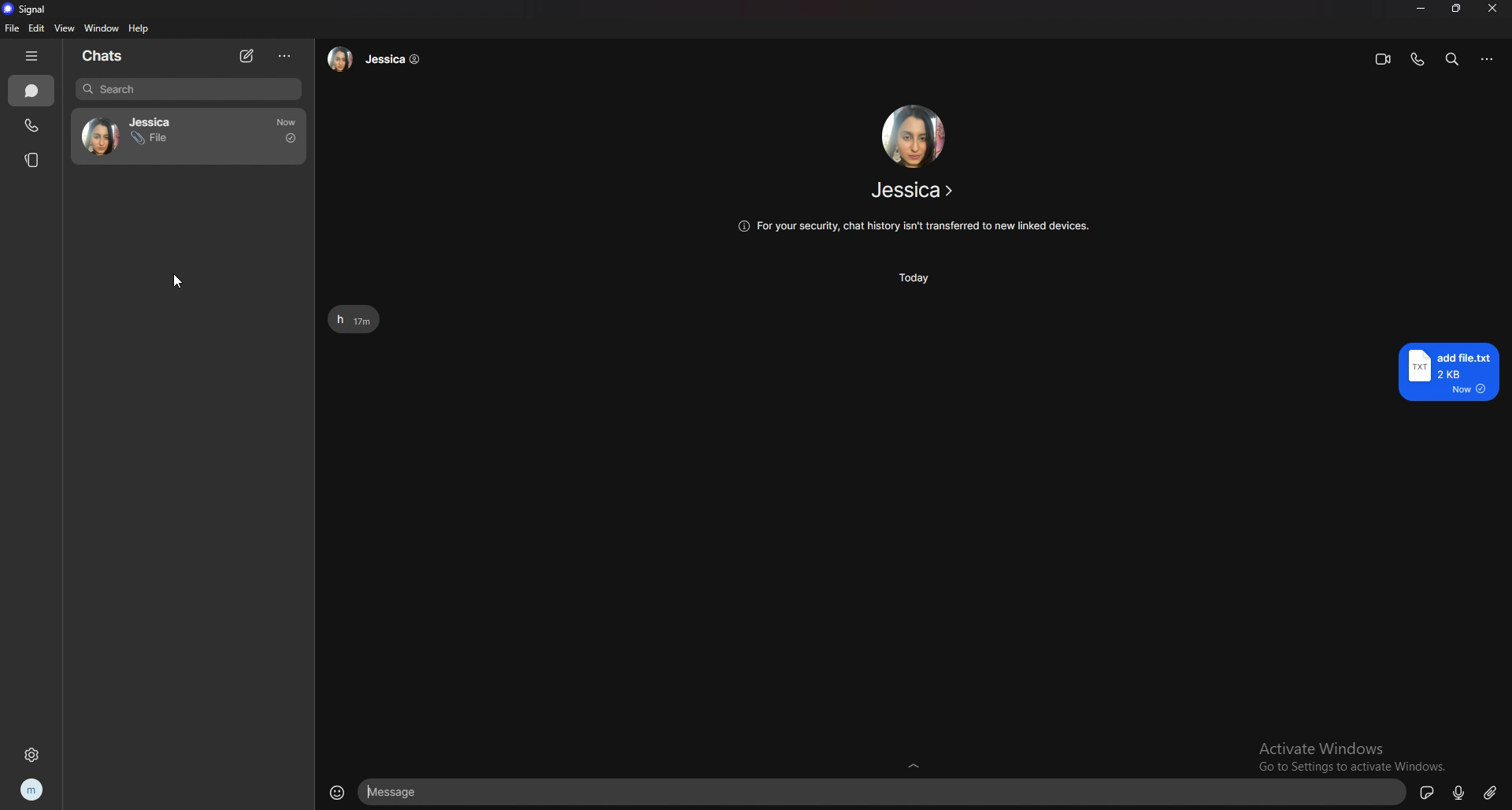  What do you see at coordinates (1491, 792) in the screenshot?
I see `attachment` at bounding box center [1491, 792].